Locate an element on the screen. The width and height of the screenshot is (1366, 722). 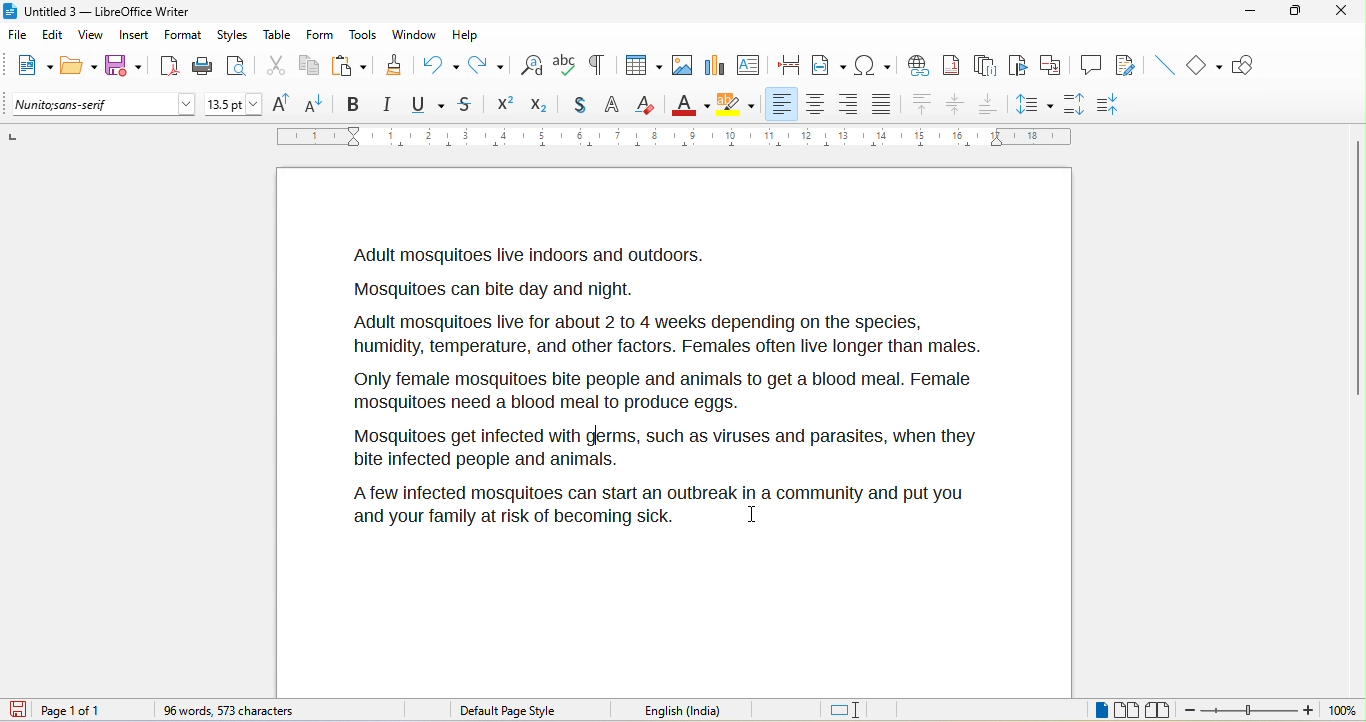
show draw function is located at coordinates (1250, 67).